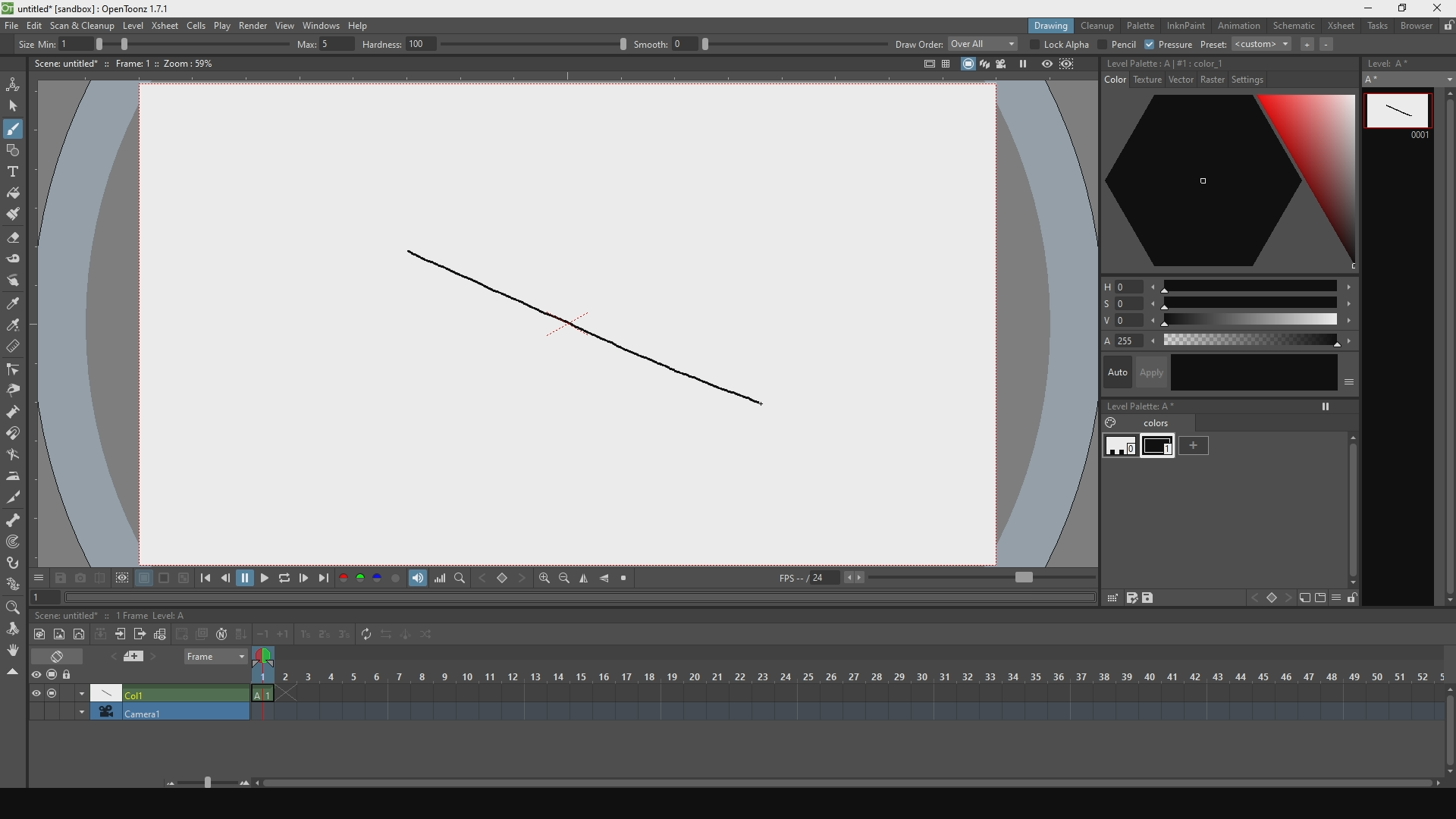  What do you see at coordinates (1447, 348) in the screenshot?
I see `scroll bar` at bounding box center [1447, 348].